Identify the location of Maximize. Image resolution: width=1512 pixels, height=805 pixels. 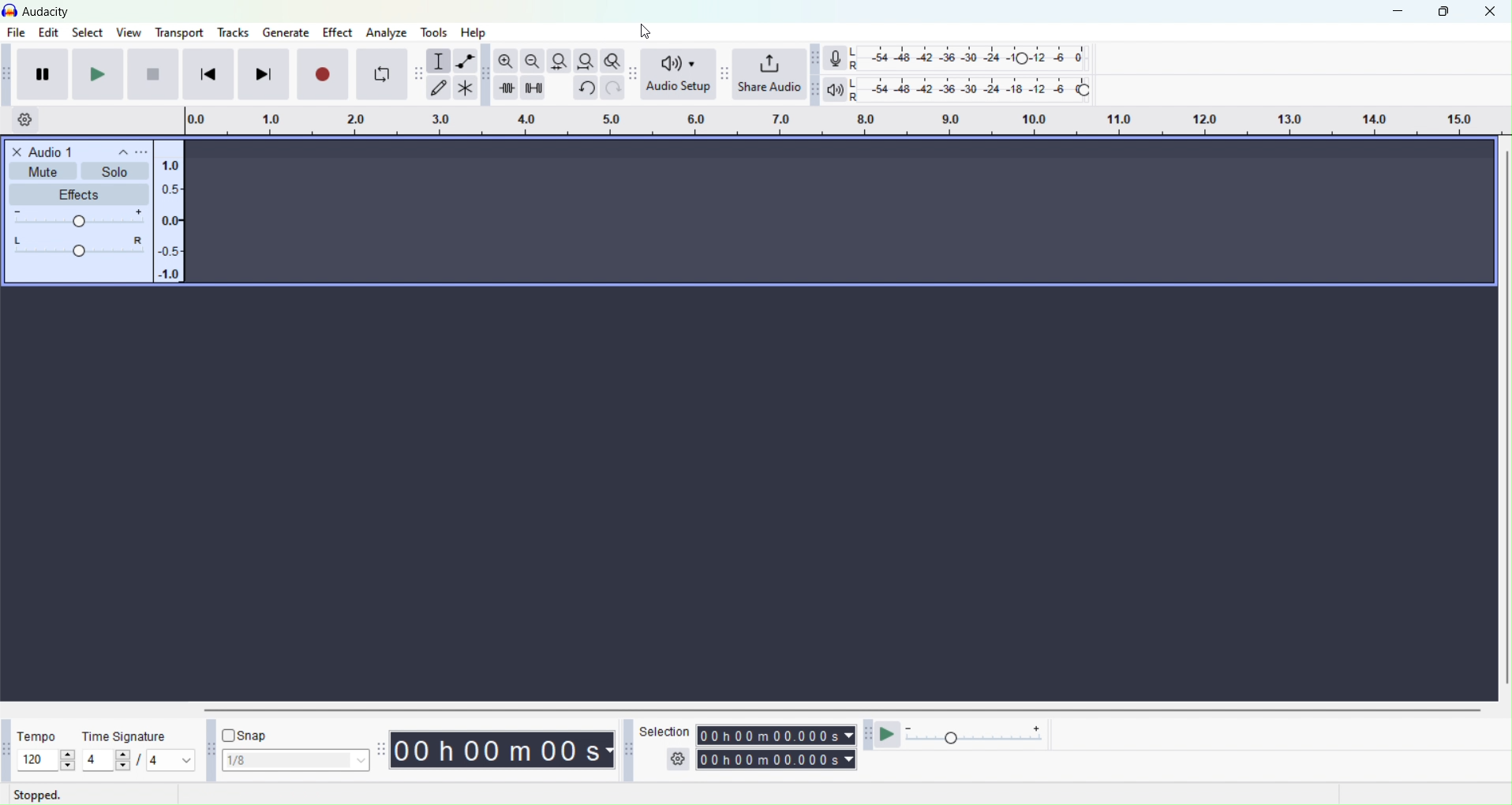
(1446, 13).